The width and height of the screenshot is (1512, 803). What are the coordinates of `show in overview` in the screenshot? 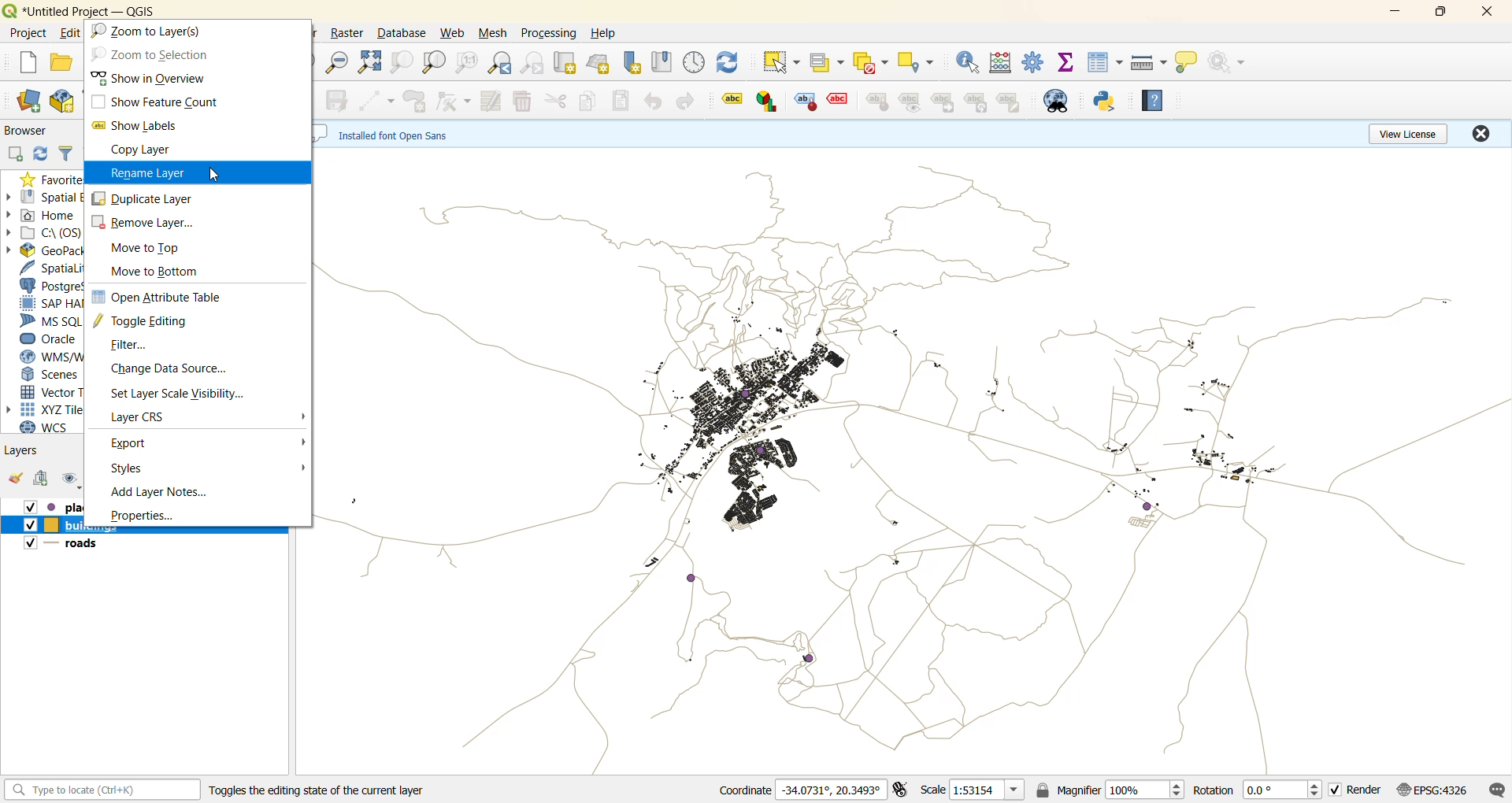 It's located at (153, 78).